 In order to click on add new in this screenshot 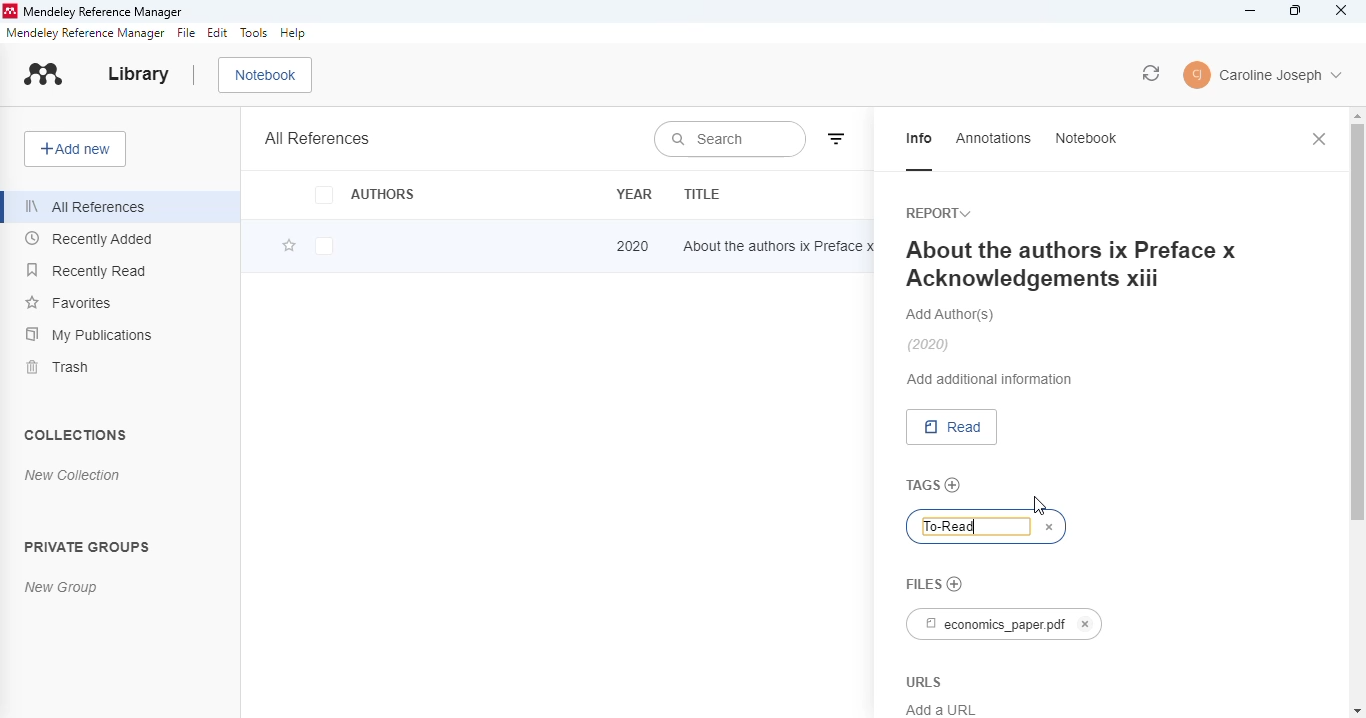, I will do `click(75, 149)`.